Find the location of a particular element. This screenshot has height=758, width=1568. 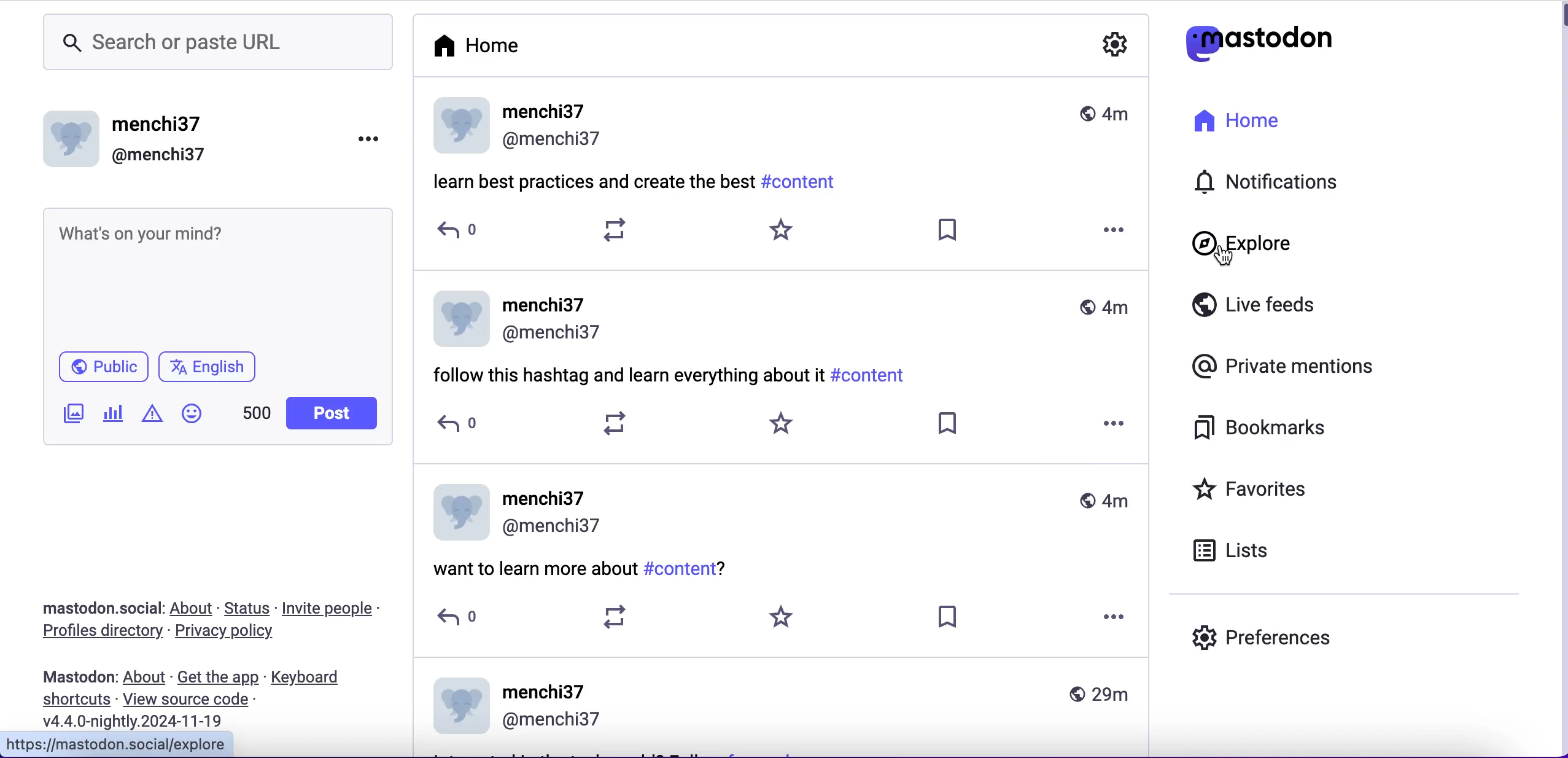

user is located at coordinates (784, 514).